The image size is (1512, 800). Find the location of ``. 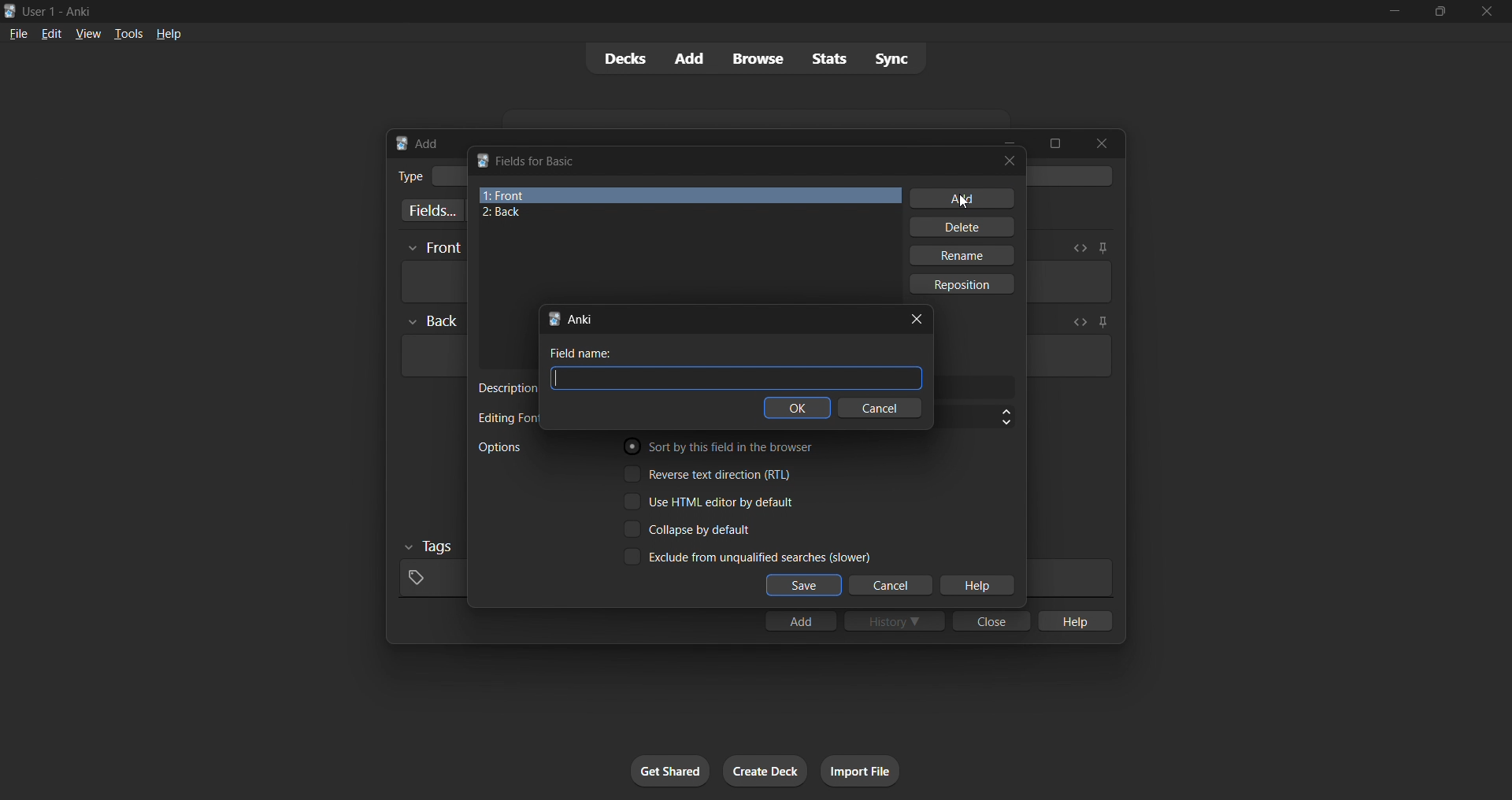

 is located at coordinates (430, 547).